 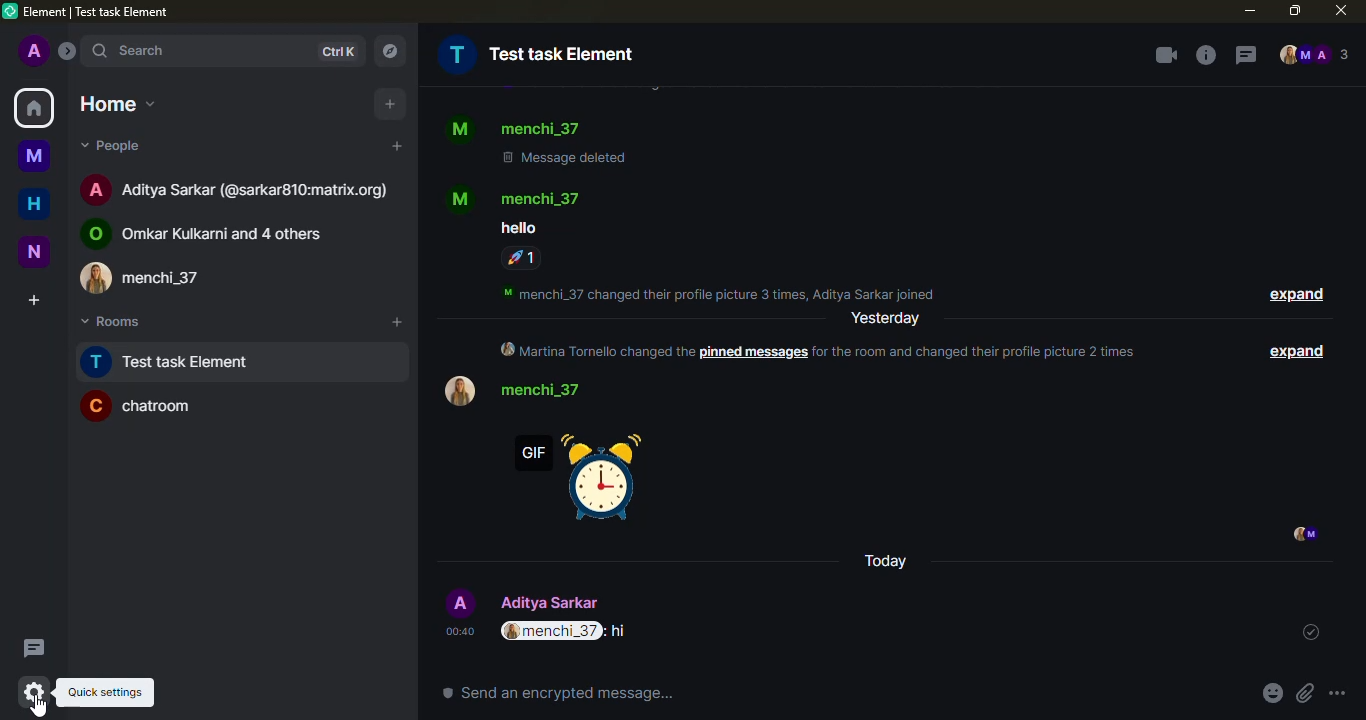 I want to click on profile, so click(x=458, y=391).